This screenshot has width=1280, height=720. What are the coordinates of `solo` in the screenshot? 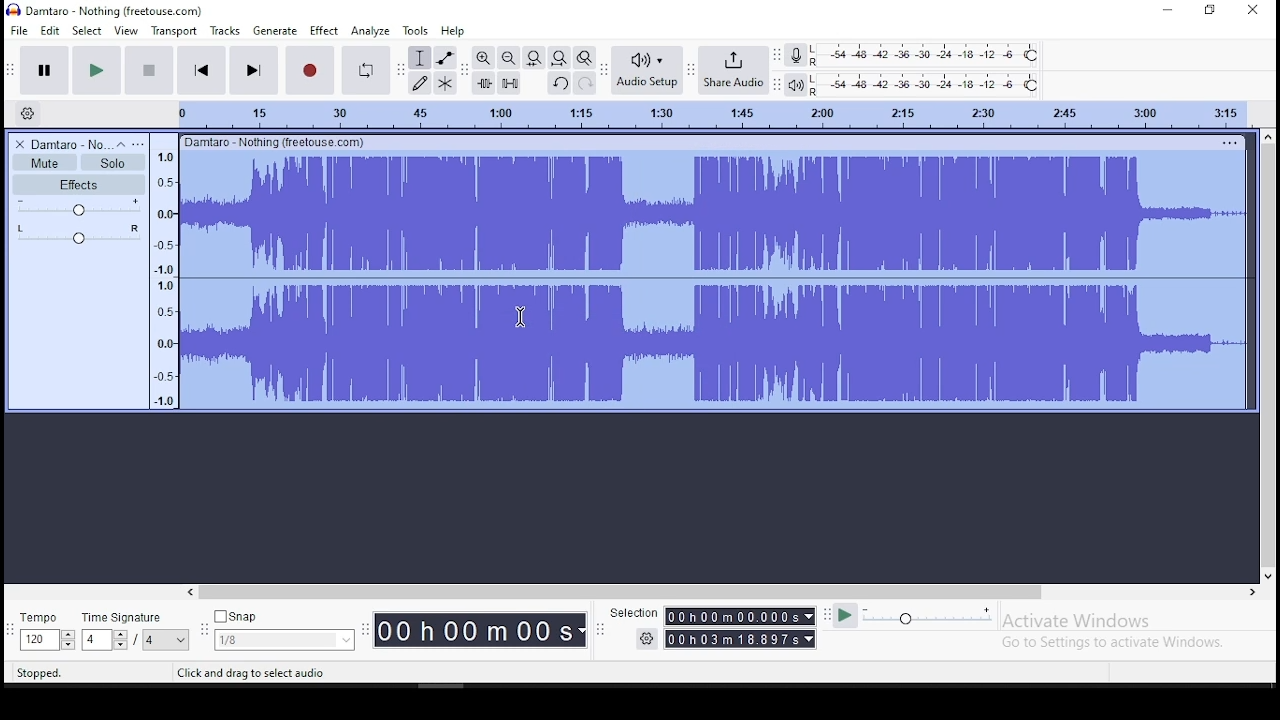 It's located at (112, 162).